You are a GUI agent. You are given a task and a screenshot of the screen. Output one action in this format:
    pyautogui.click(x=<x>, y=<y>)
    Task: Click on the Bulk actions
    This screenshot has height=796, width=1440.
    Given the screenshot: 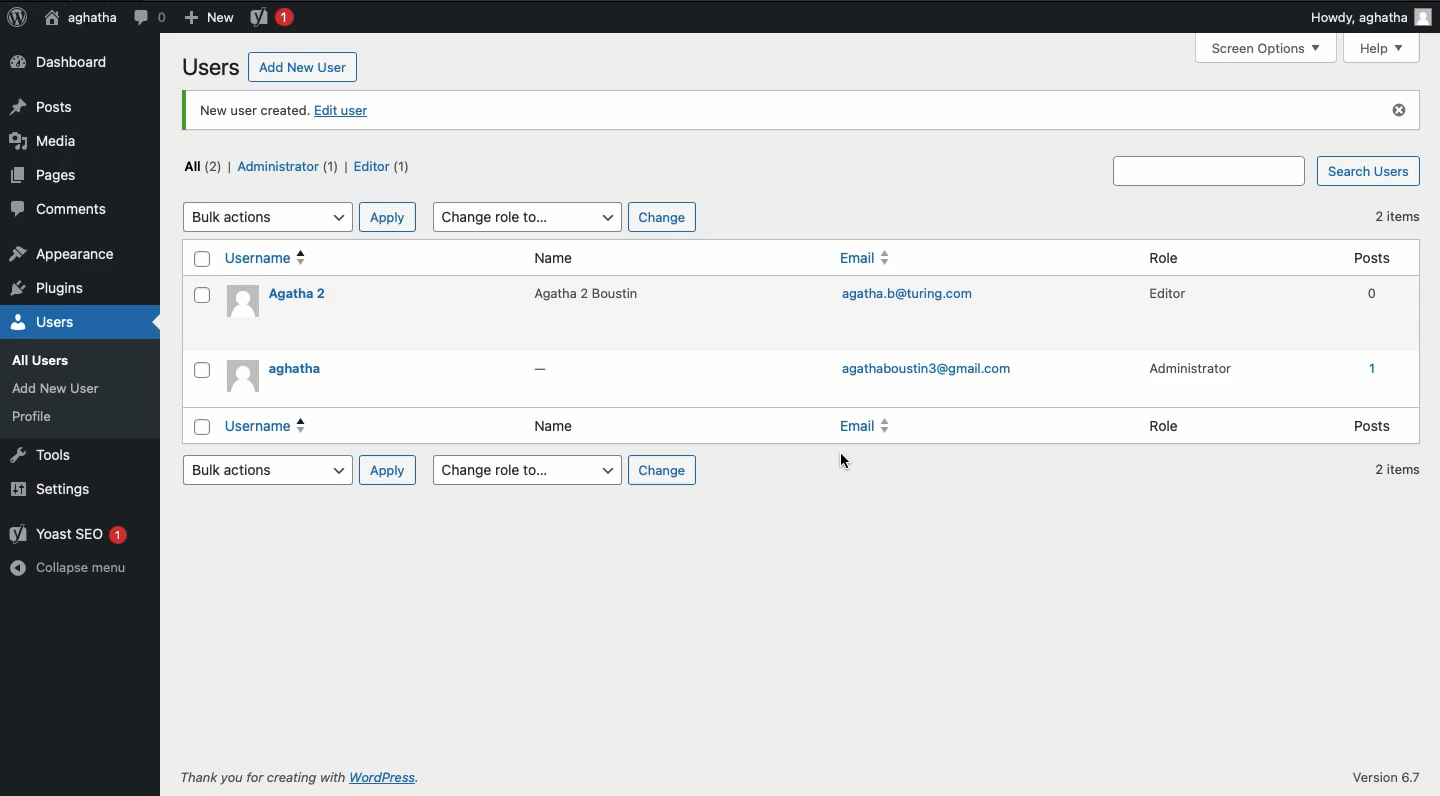 What is the action you would take?
    pyautogui.click(x=267, y=216)
    